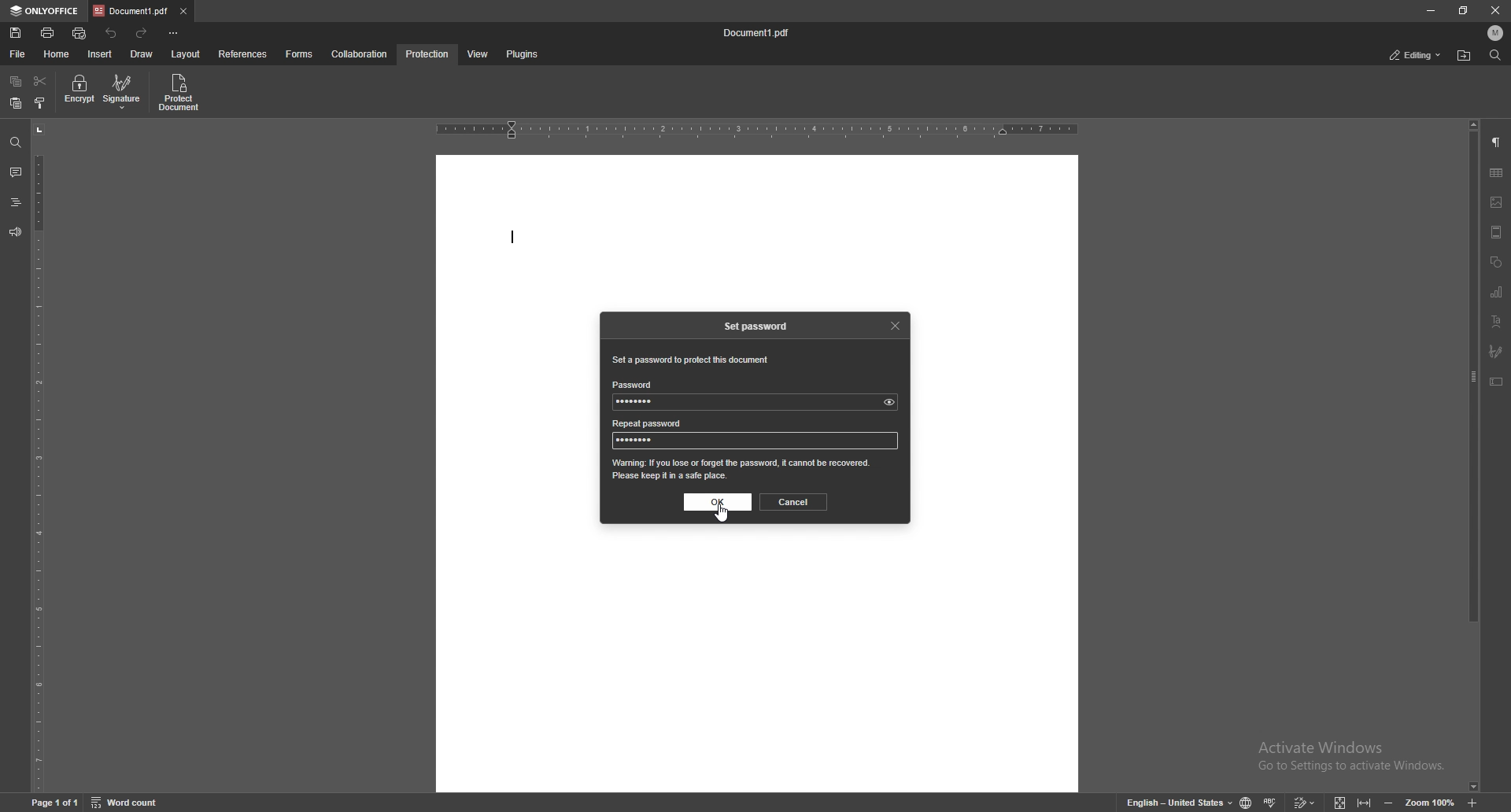 The width and height of the screenshot is (1511, 812). I want to click on warning message, so click(742, 469).